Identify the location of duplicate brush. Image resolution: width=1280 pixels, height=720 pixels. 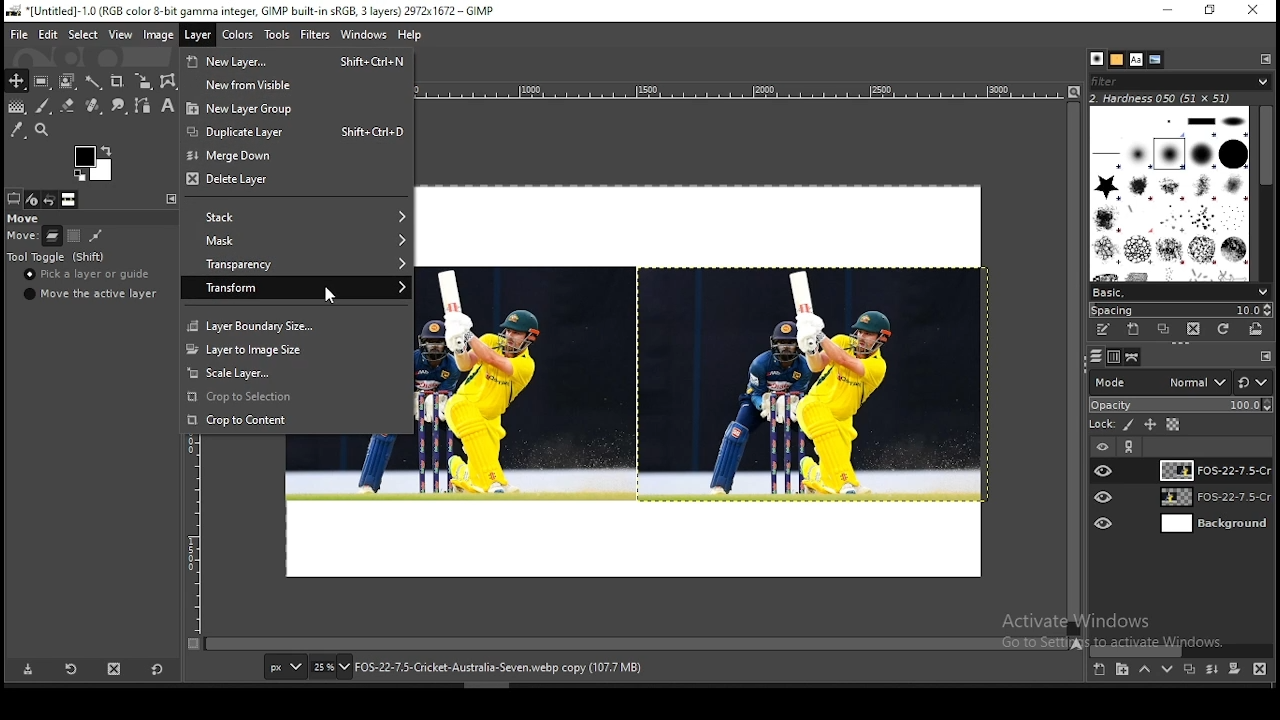
(1164, 329).